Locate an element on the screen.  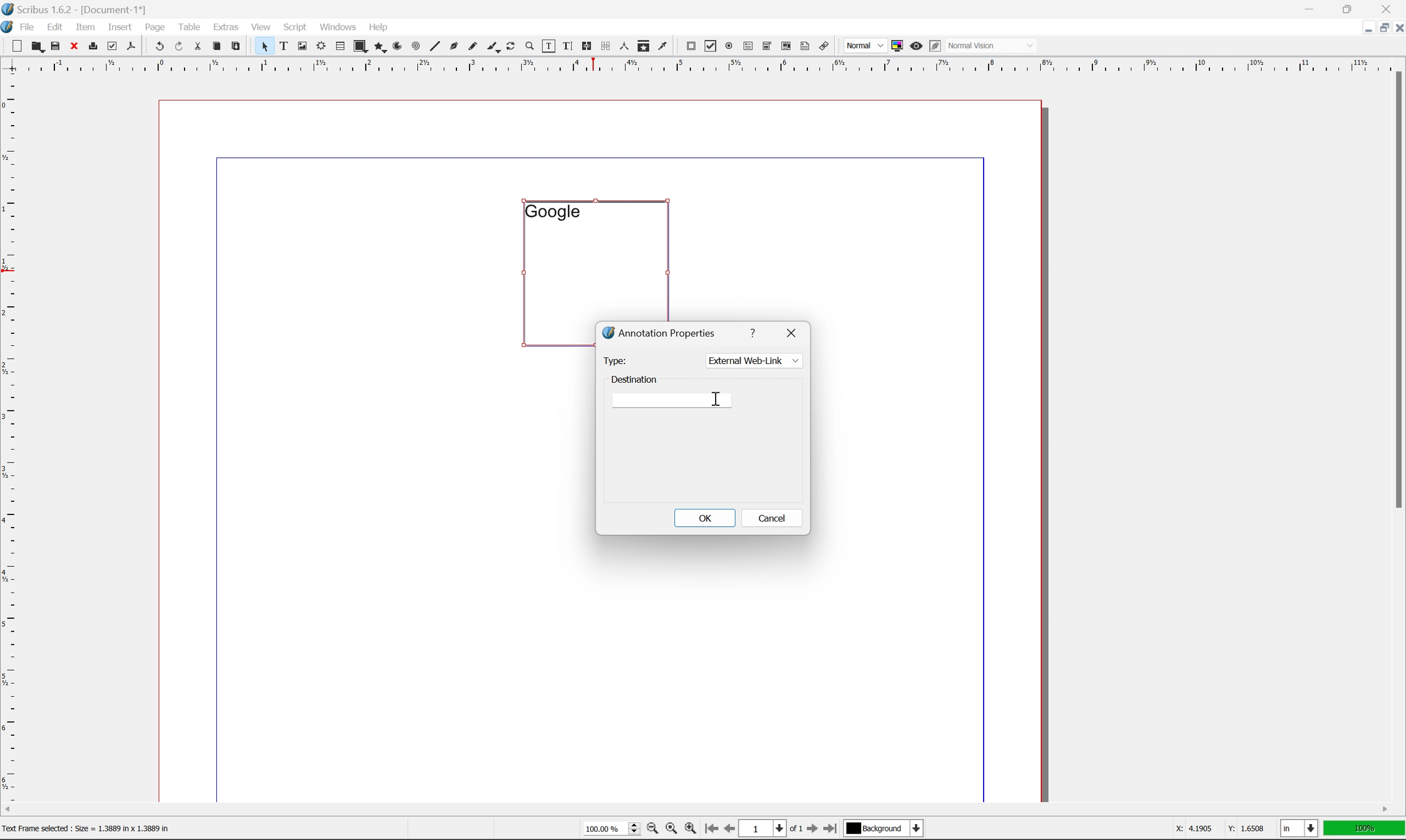
line is located at coordinates (435, 47).